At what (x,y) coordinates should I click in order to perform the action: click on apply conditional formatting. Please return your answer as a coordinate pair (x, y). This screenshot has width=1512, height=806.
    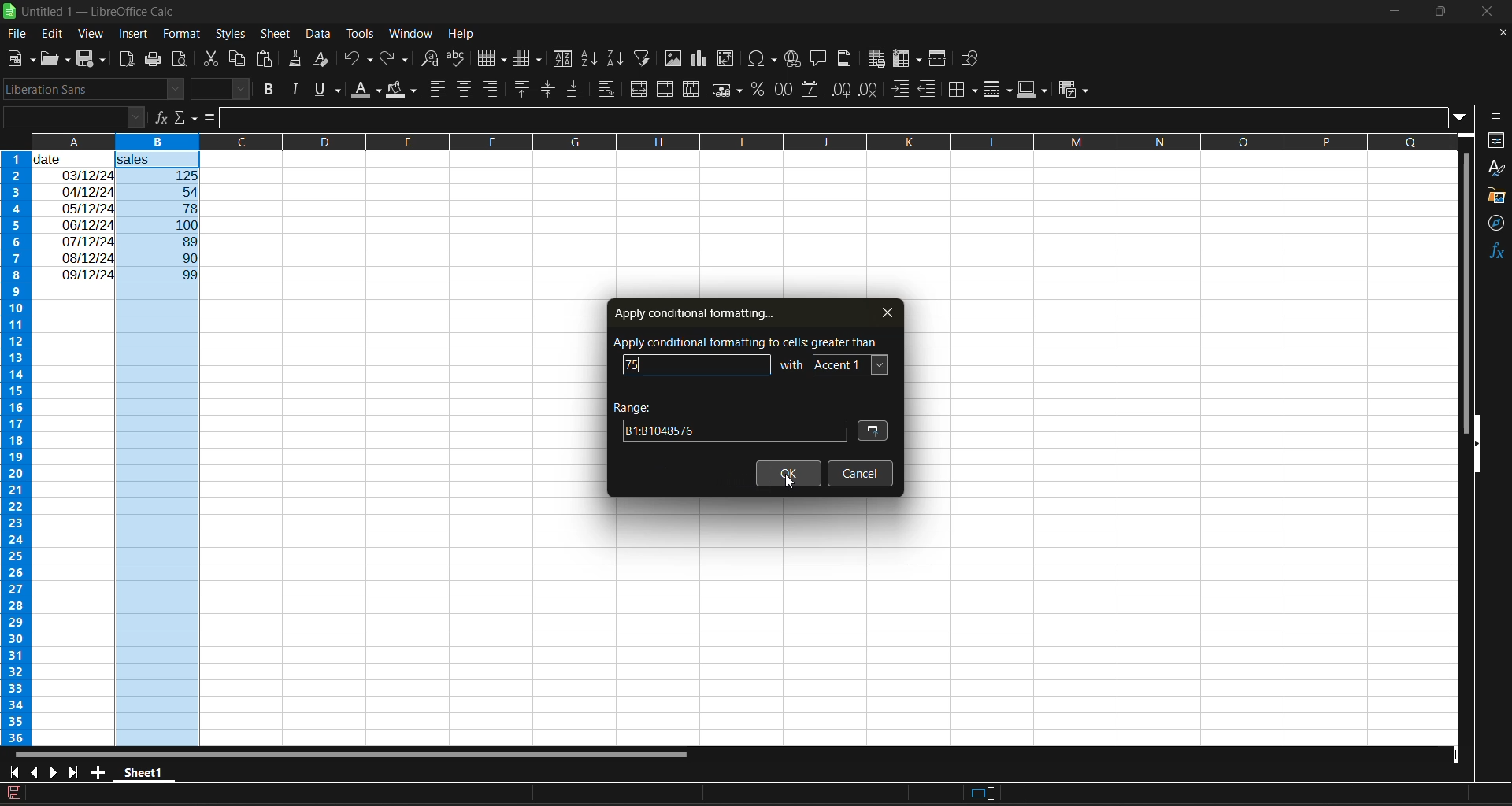
    Looking at the image, I should click on (693, 311).